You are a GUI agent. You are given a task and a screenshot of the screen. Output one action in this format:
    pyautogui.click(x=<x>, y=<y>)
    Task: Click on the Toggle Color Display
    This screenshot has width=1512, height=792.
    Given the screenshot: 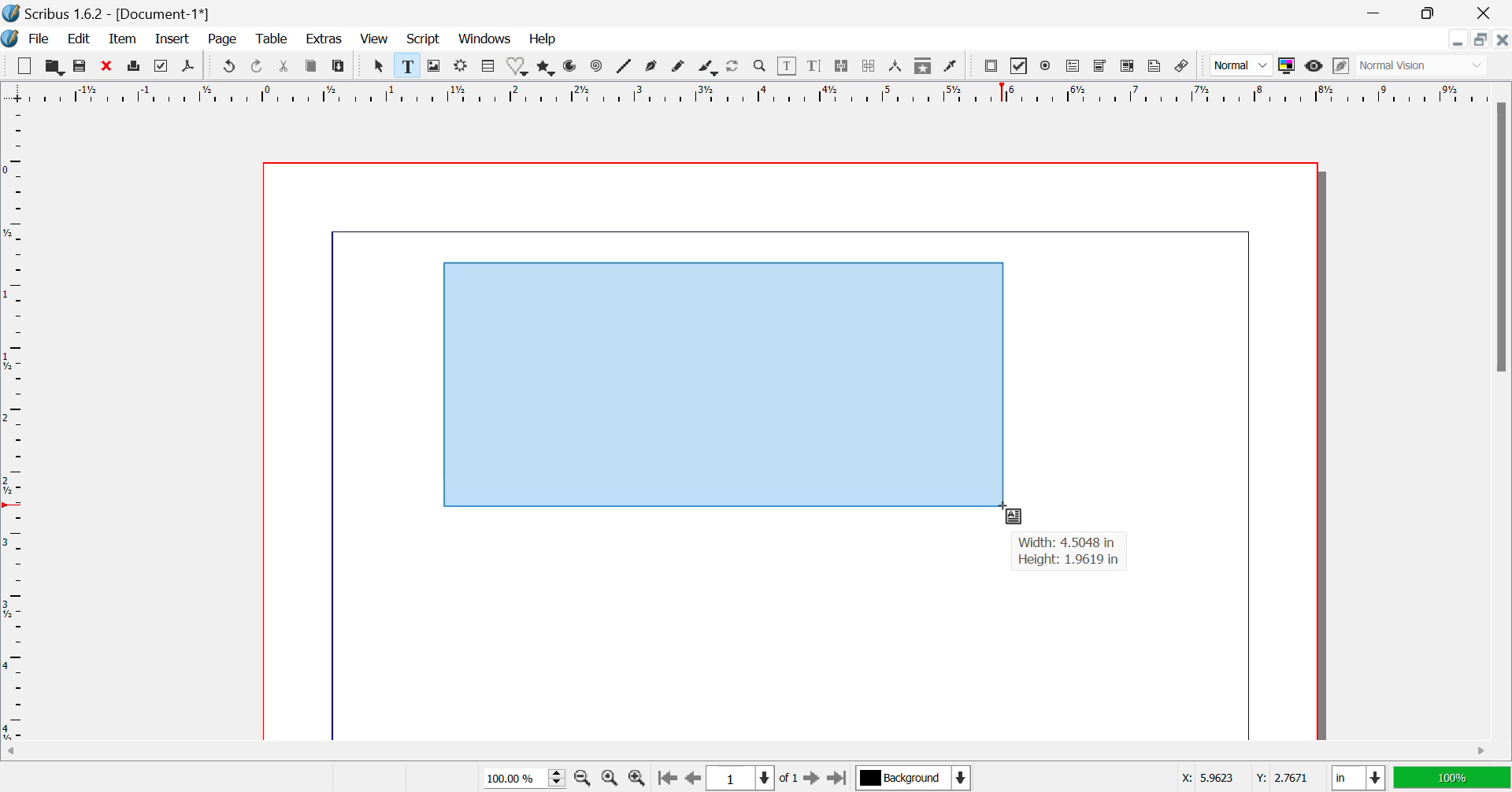 What is the action you would take?
    pyautogui.click(x=1289, y=67)
    